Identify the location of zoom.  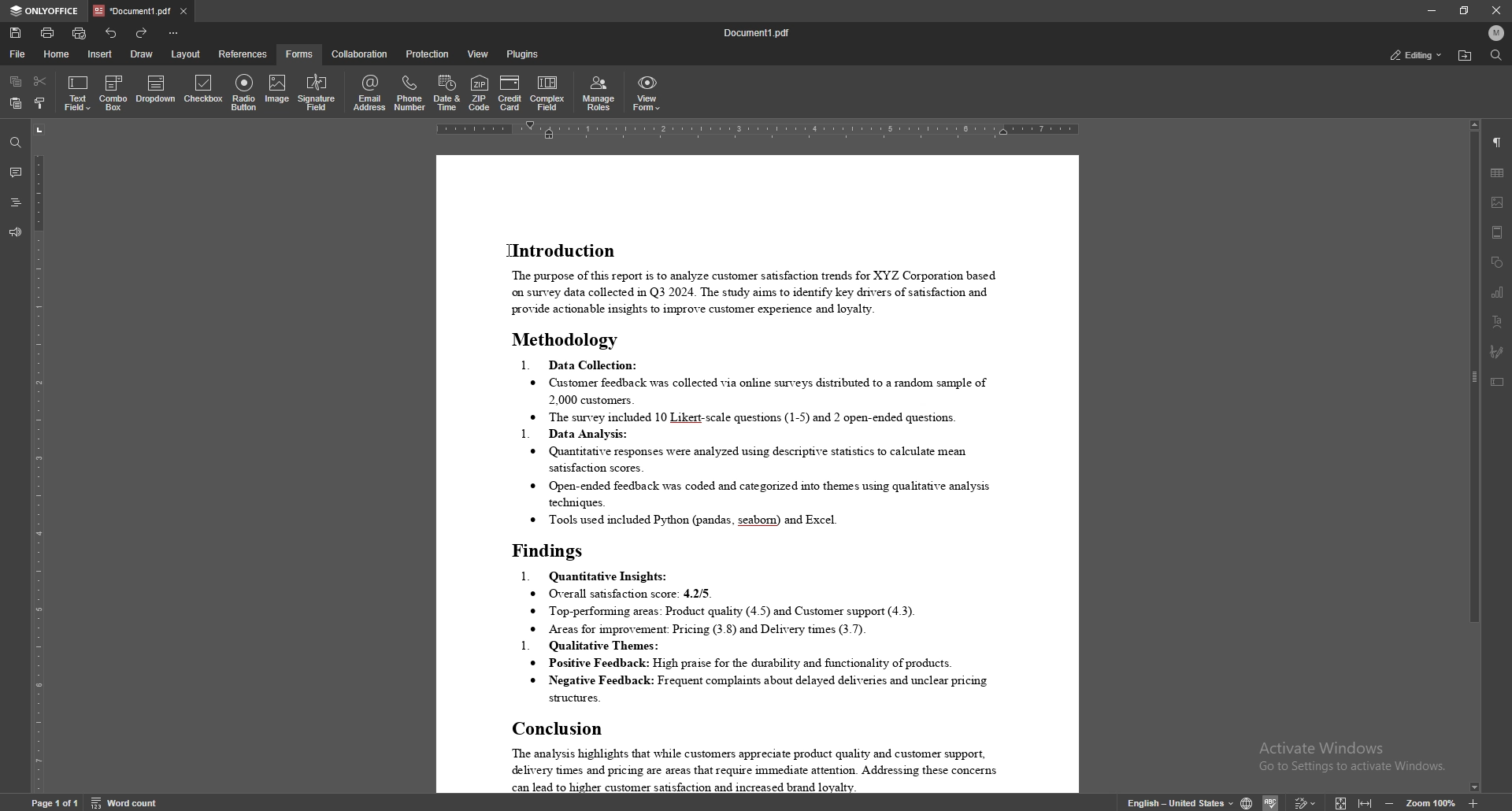
(1430, 802).